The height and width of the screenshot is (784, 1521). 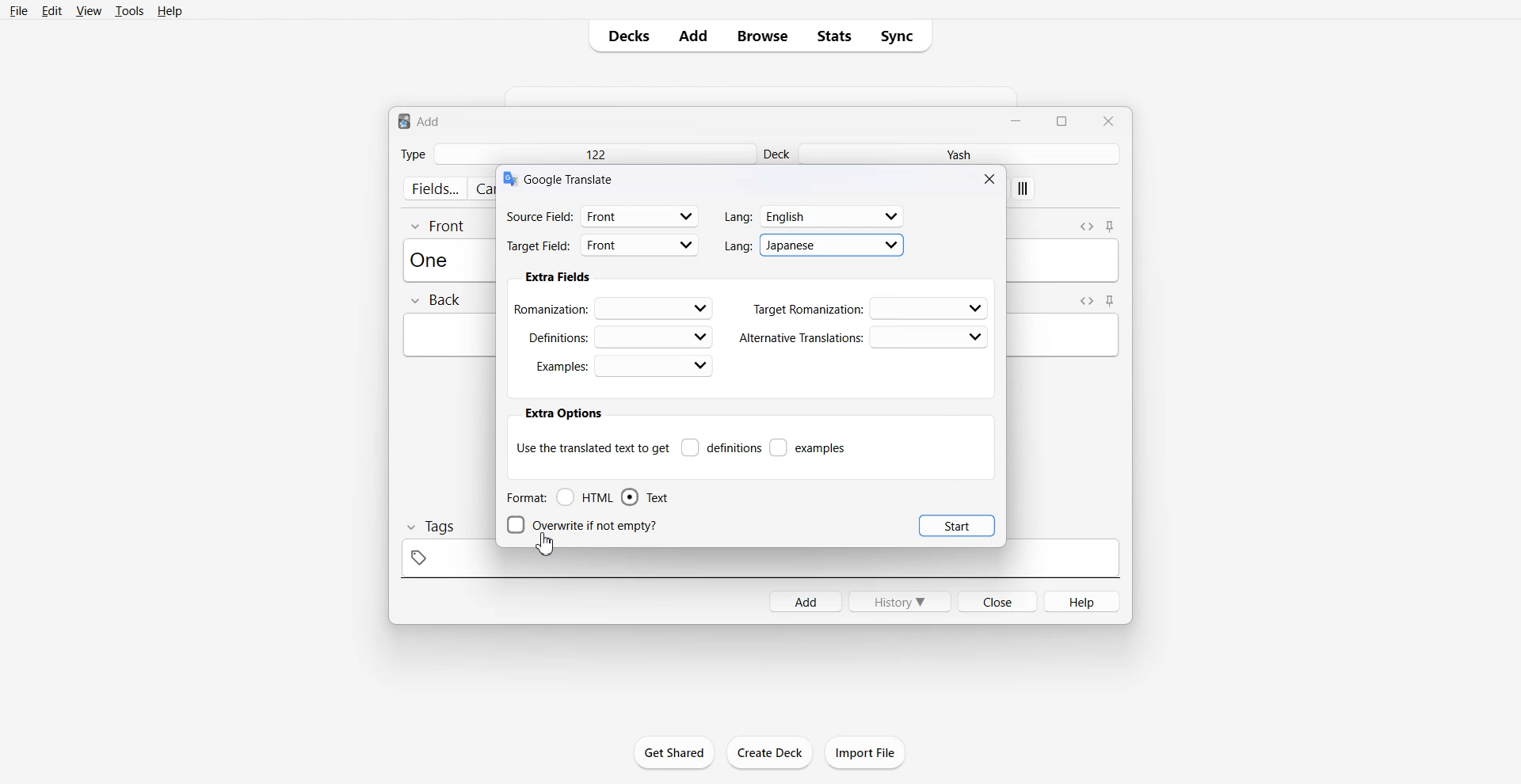 I want to click on Definations, so click(x=618, y=336).